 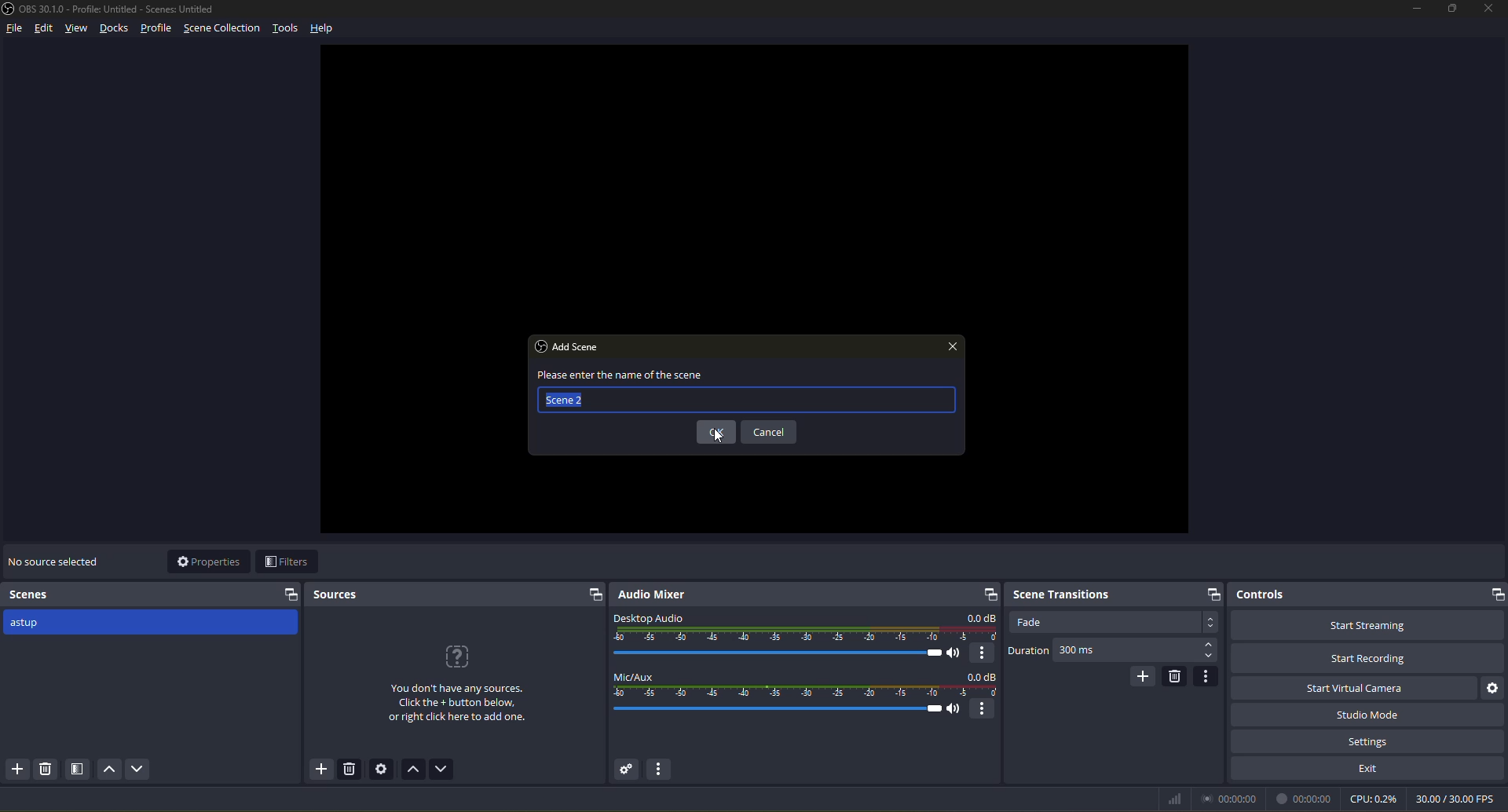 What do you see at coordinates (1082, 652) in the screenshot?
I see `300 ms` at bounding box center [1082, 652].